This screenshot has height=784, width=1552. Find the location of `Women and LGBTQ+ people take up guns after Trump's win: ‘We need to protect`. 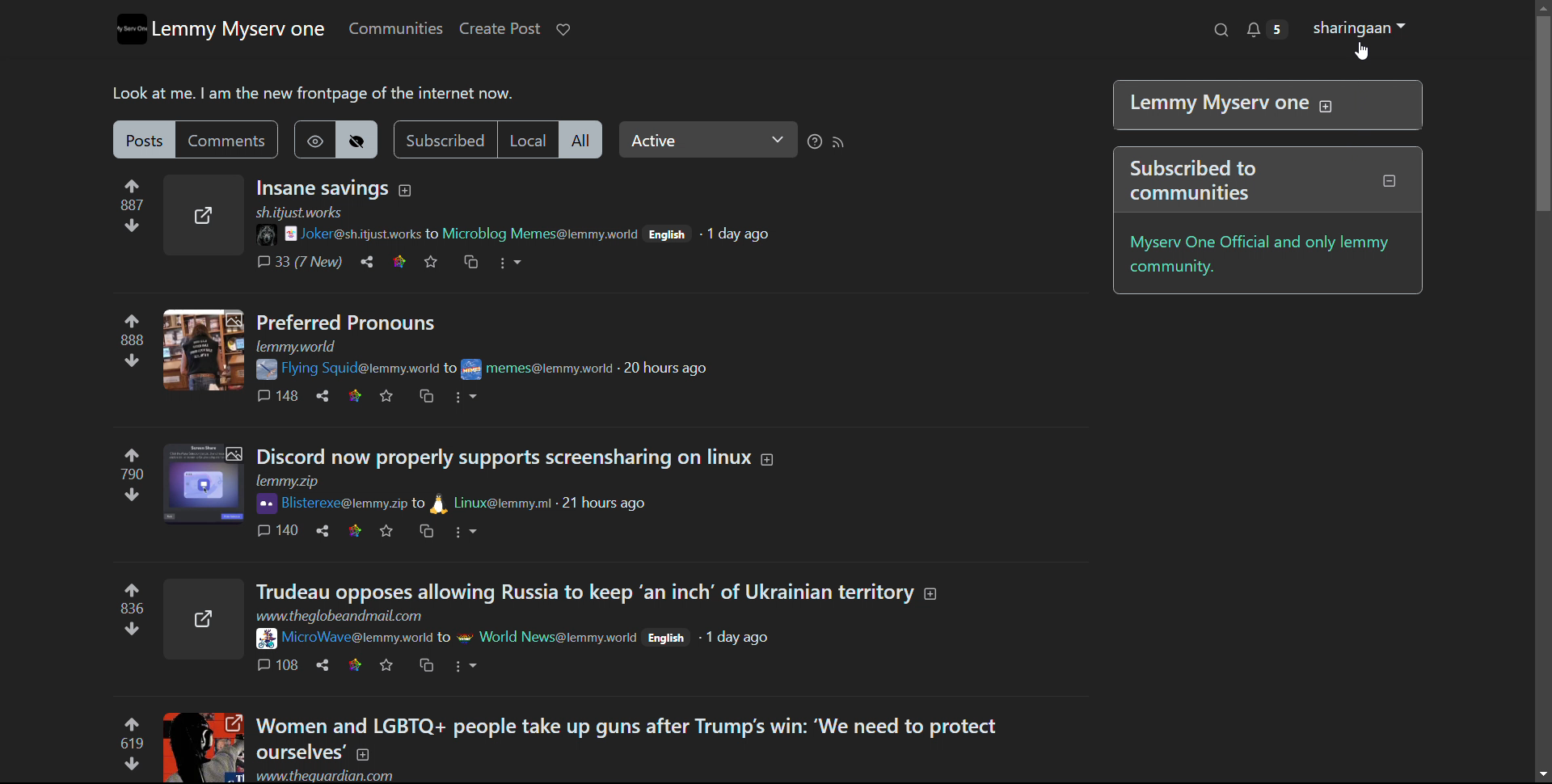

Women and LGBTQ+ people take up guns after Trump's win: ‘We need to protect is located at coordinates (629, 719).